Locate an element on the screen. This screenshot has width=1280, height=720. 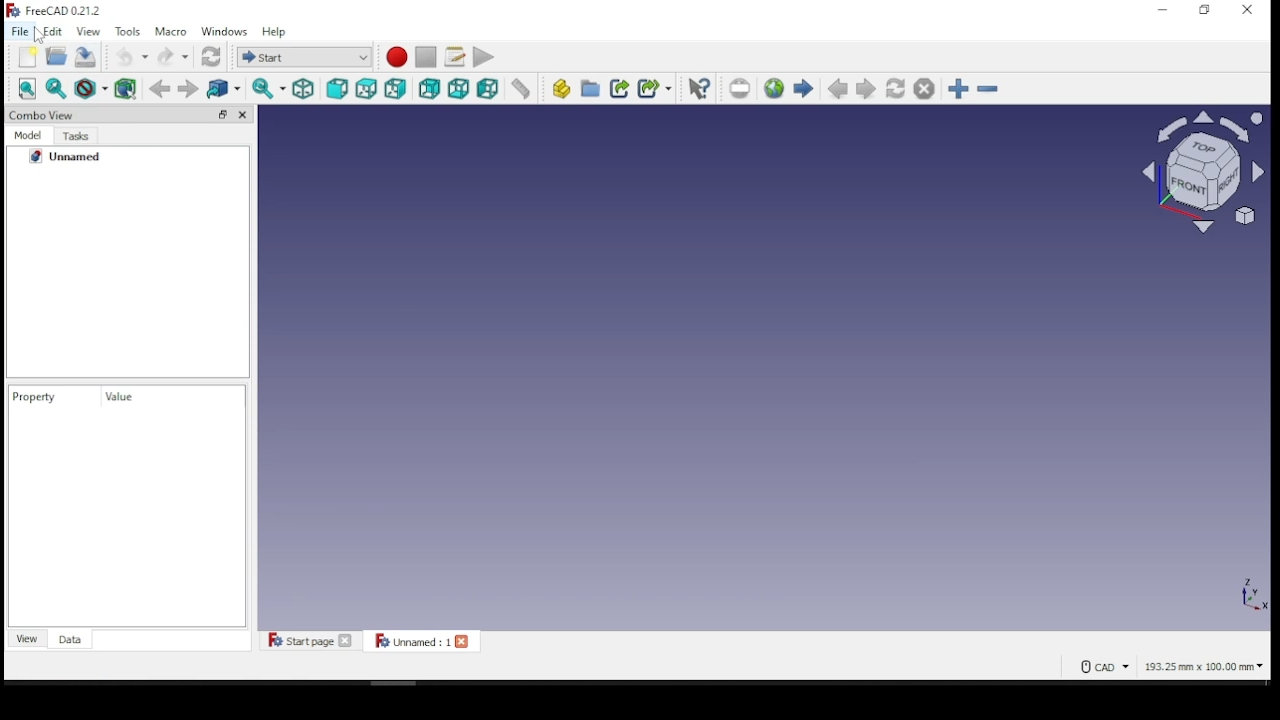
front is located at coordinates (336, 87).